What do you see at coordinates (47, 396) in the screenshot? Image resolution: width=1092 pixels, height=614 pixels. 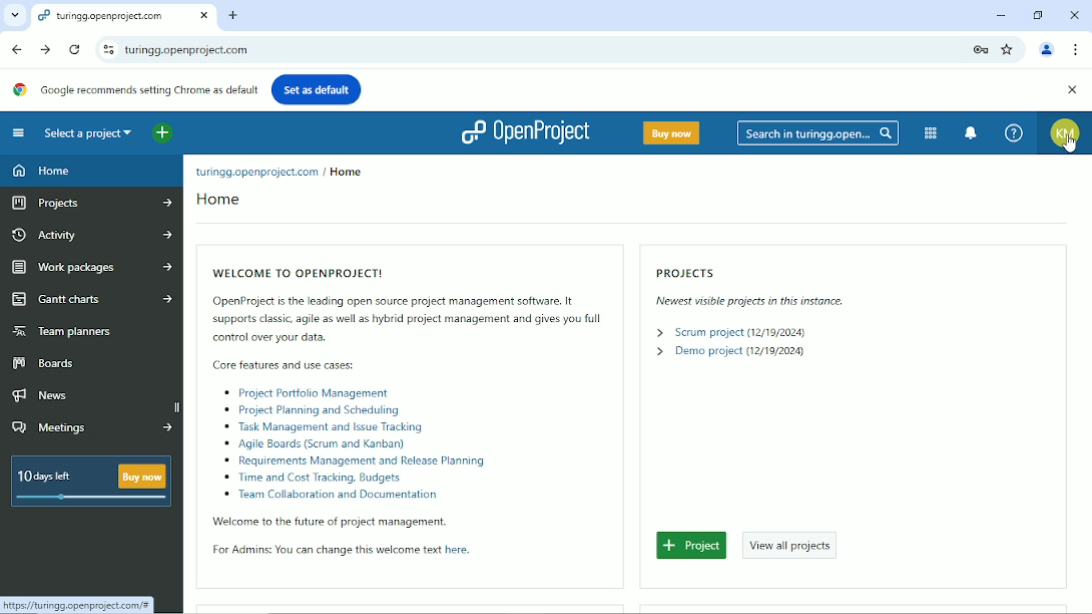 I see `News` at bounding box center [47, 396].